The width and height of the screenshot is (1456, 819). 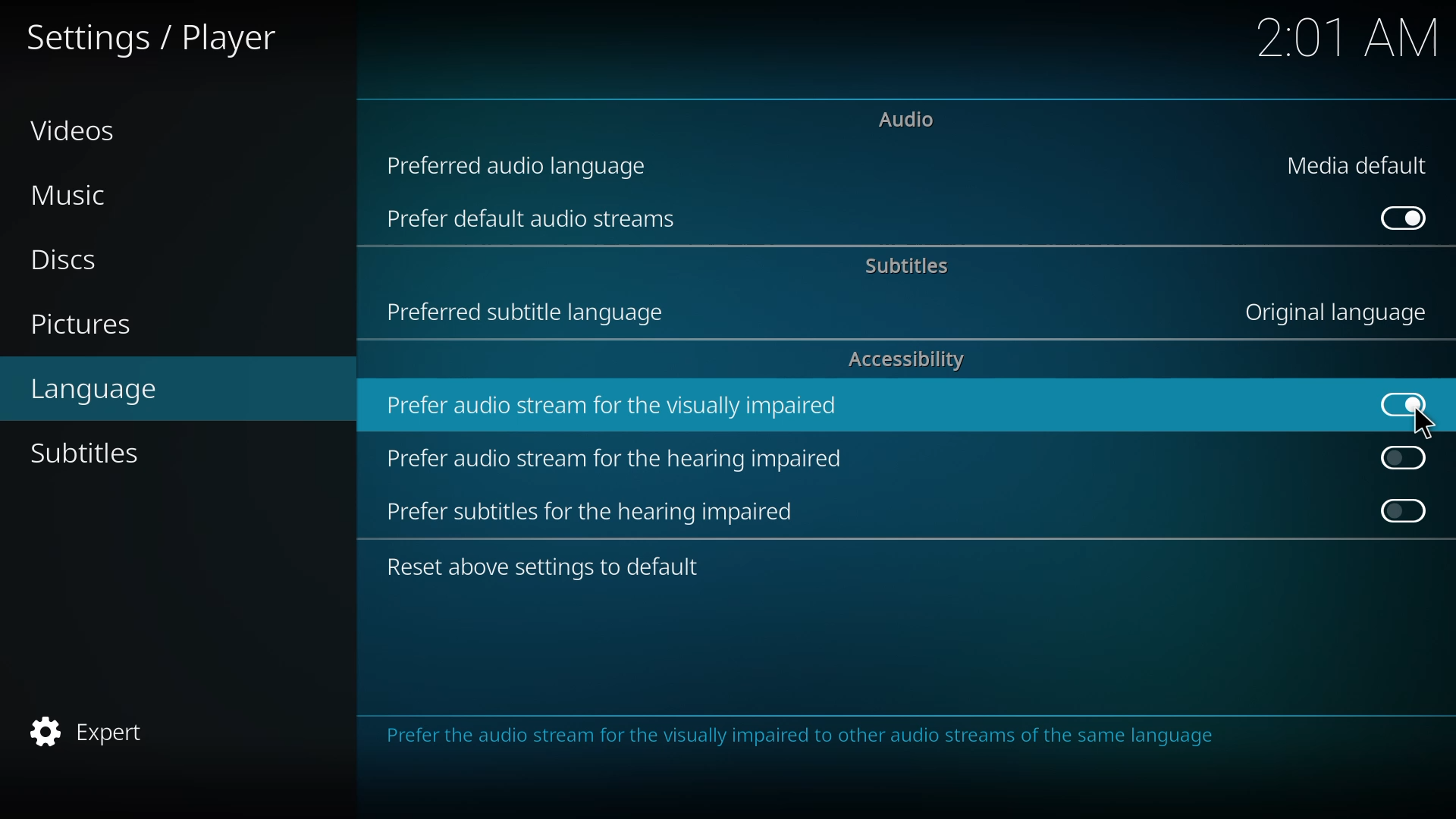 I want to click on audio, so click(x=911, y=118).